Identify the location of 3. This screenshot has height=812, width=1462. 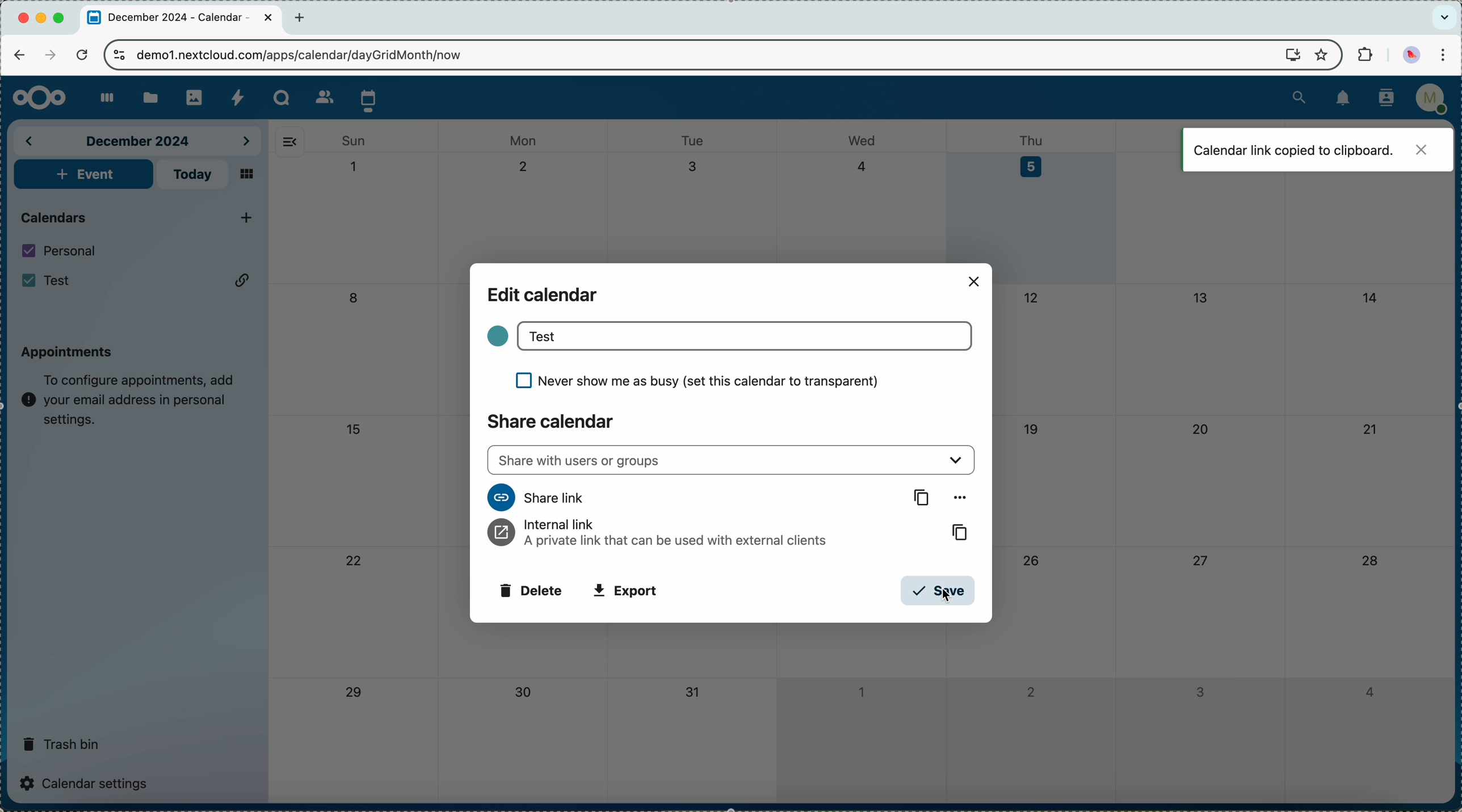
(1200, 693).